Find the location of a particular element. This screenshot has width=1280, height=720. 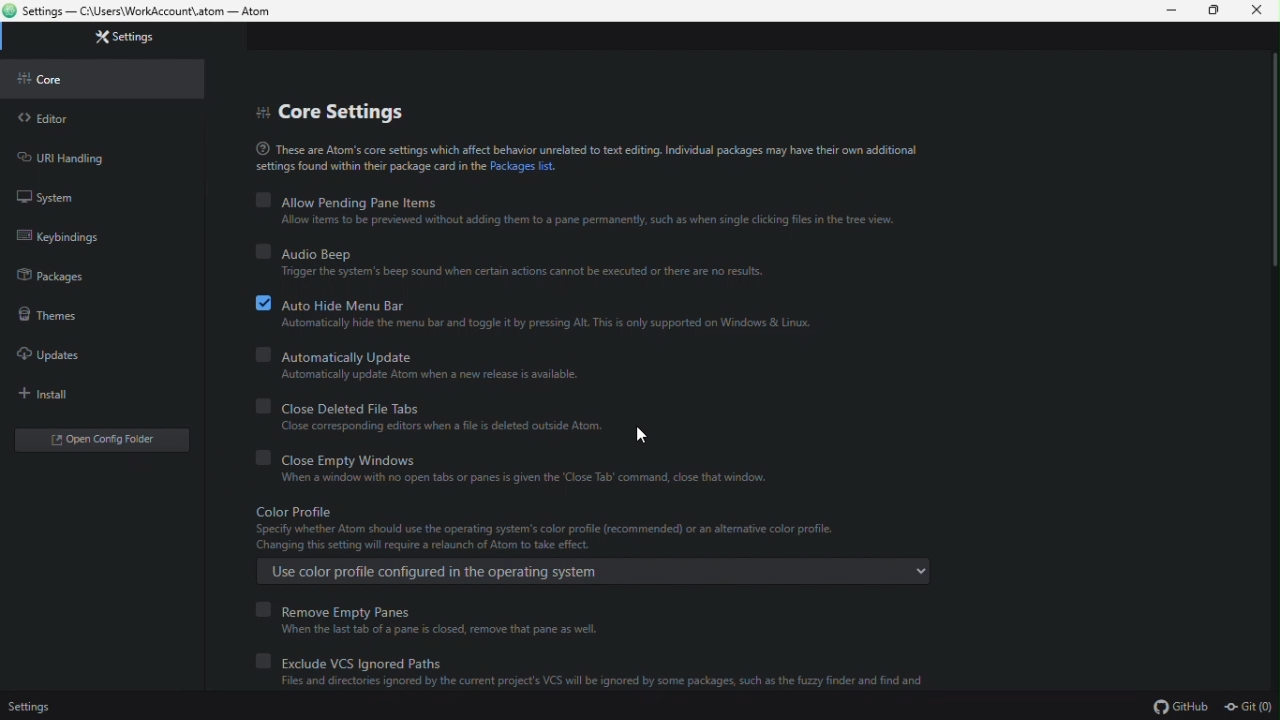

Exclude vcs ignored bath is located at coordinates (598, 668).